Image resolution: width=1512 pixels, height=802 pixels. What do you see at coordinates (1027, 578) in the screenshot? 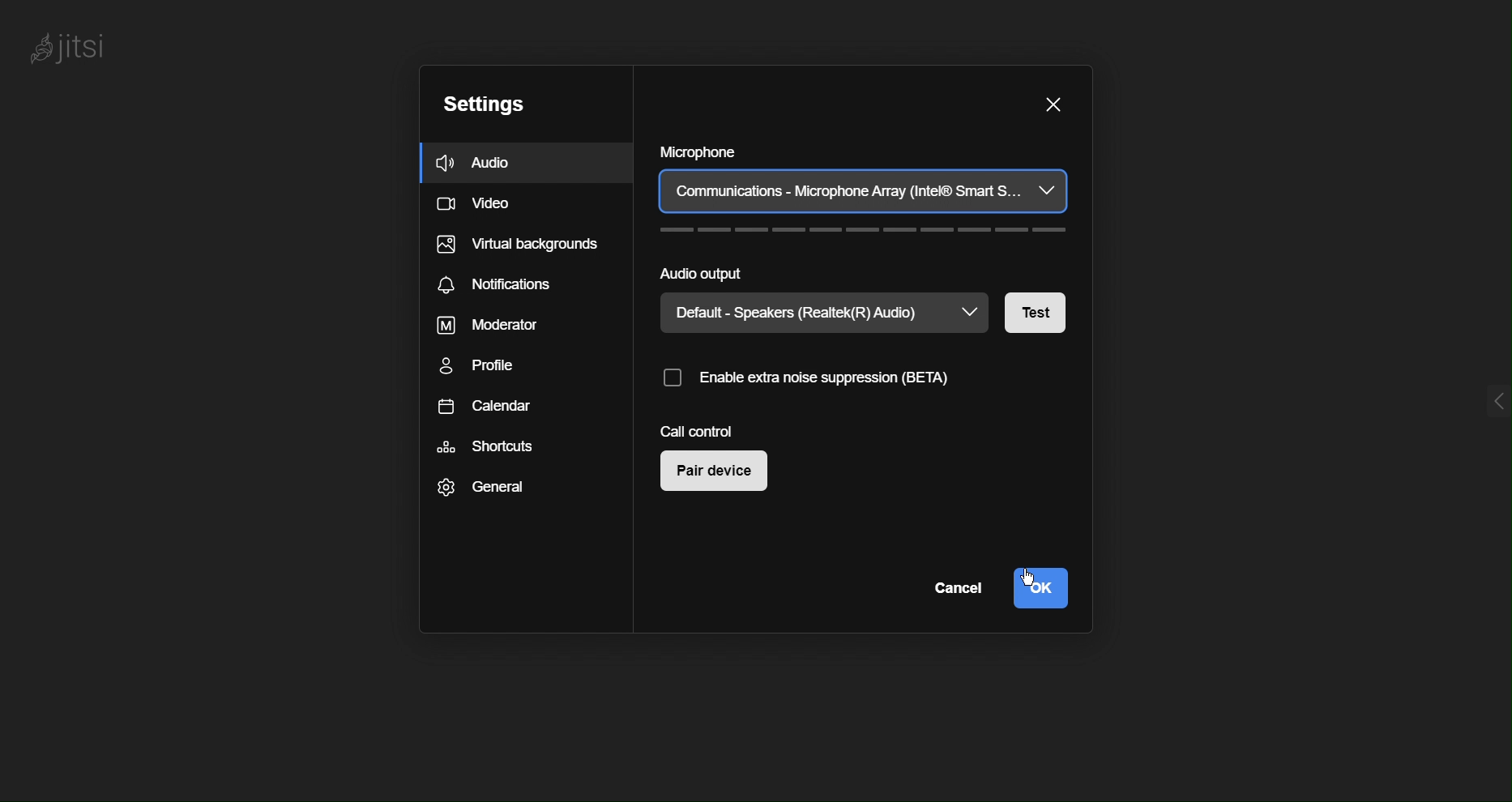
I see `Cursor` at bounding box center [1027, 578].